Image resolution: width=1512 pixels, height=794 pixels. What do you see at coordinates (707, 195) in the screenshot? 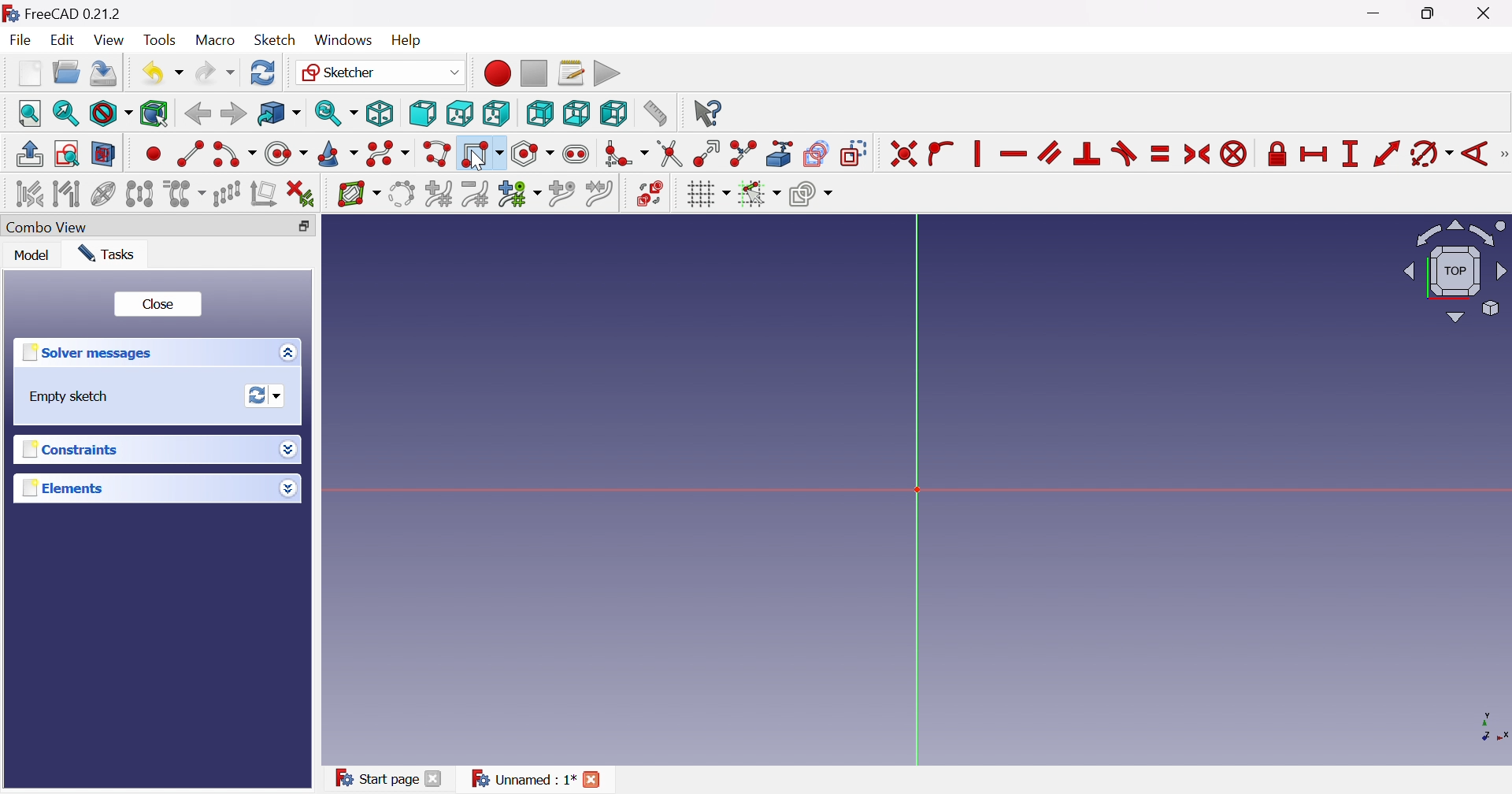
I see `Toggle grid` at bounding box center [707, 195].